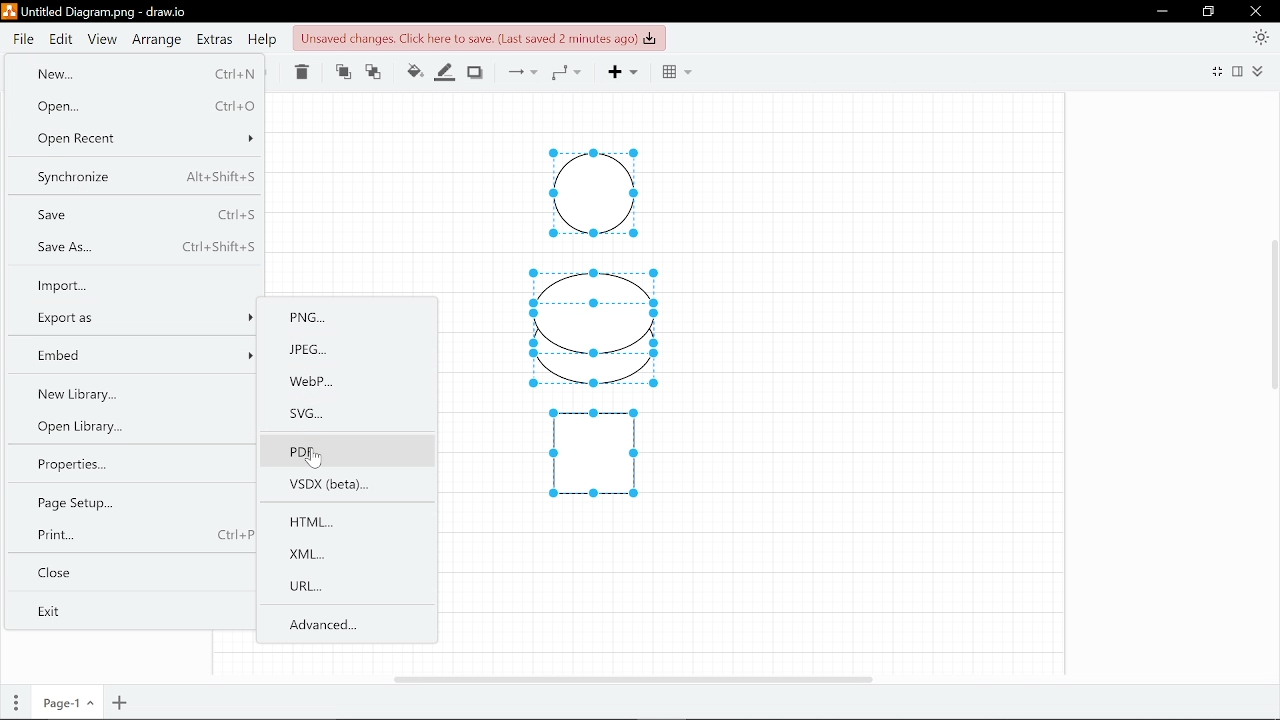 Image resolution: width=1280 pixels, height=720 pixels. What do you see at coordinates (1261, 37) in the screenshot?
I see `Appearence` at bounding box center [1261, 37].